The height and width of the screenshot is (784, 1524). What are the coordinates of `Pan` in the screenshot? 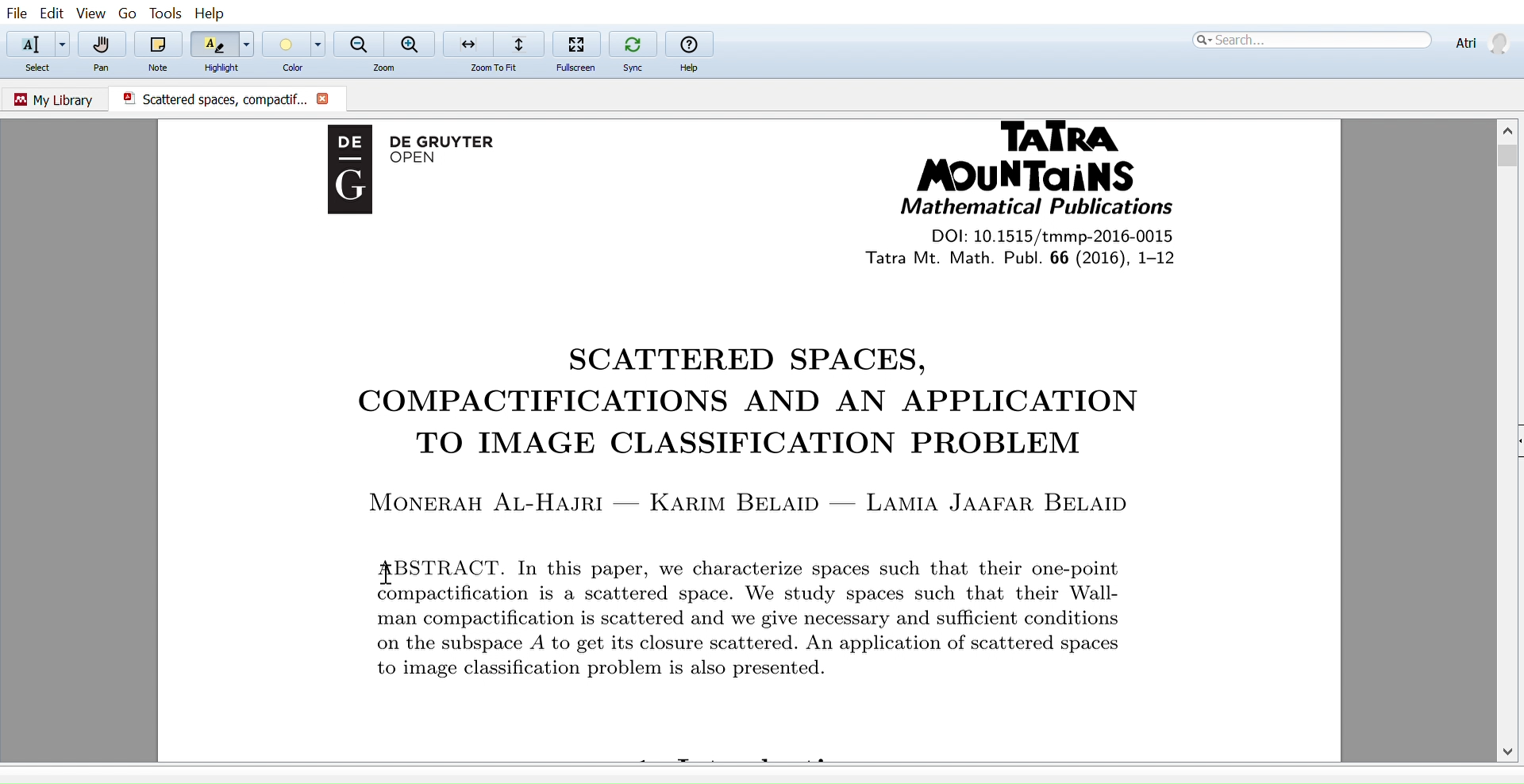 It's located at (104, 44).